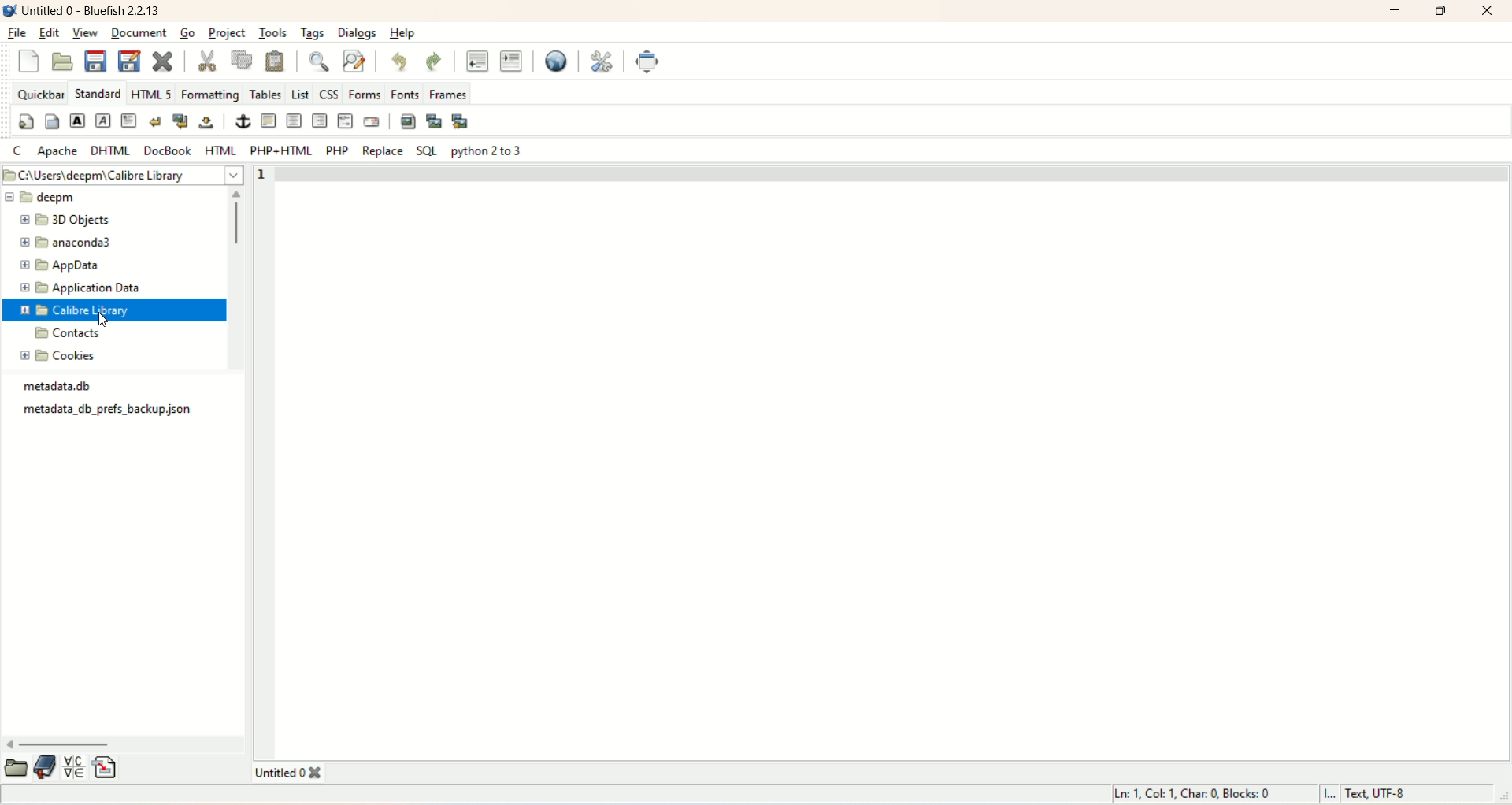 The width and height of the screenshot is (1512, 805). What do you see at coordinates (154, 120) in the screenshot?
I see `clear` at bounding box center [154, 120].